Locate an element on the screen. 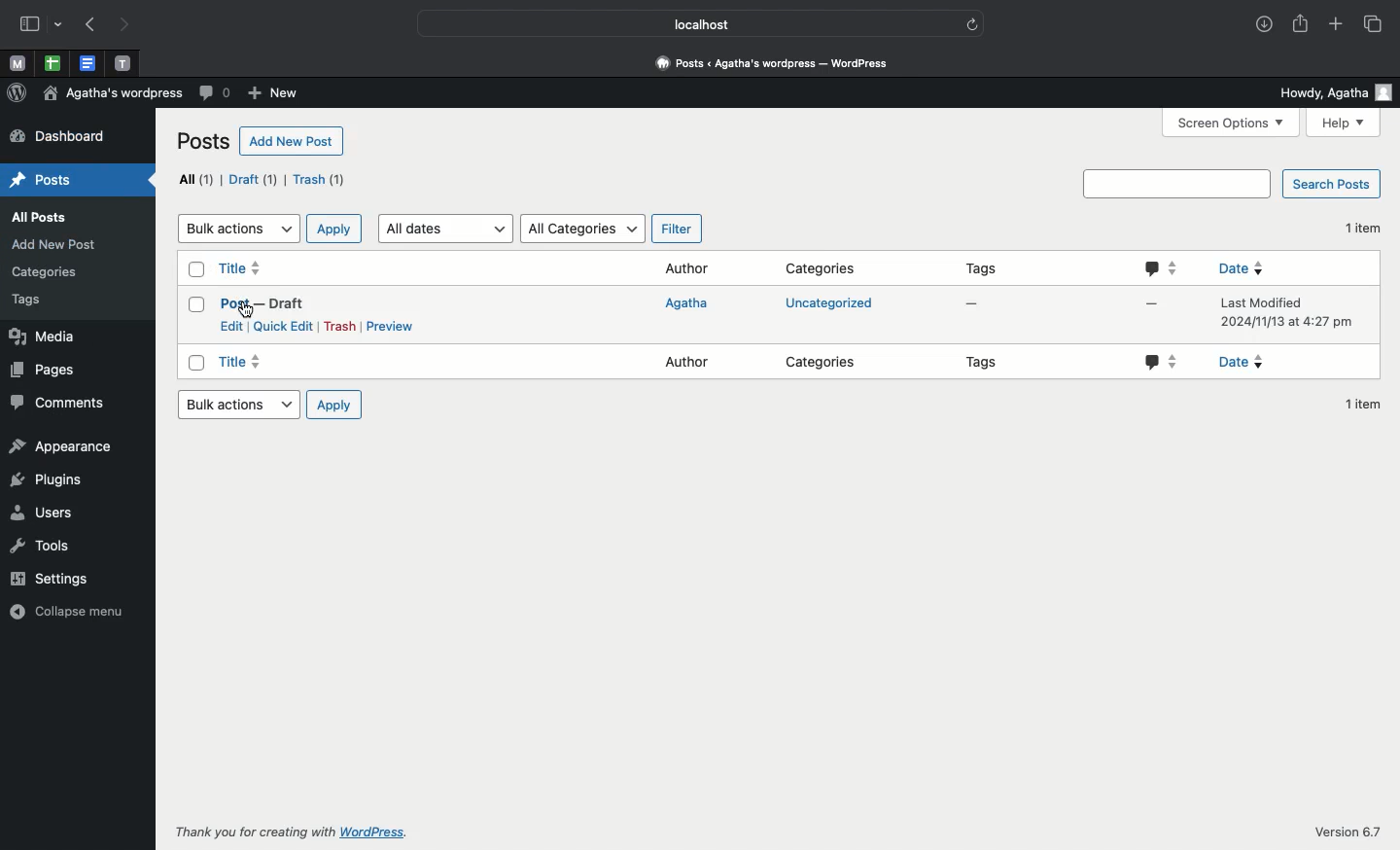 The width and height of the screenshot is (1400, 850). Post draft is located at coordinates (265, 301).